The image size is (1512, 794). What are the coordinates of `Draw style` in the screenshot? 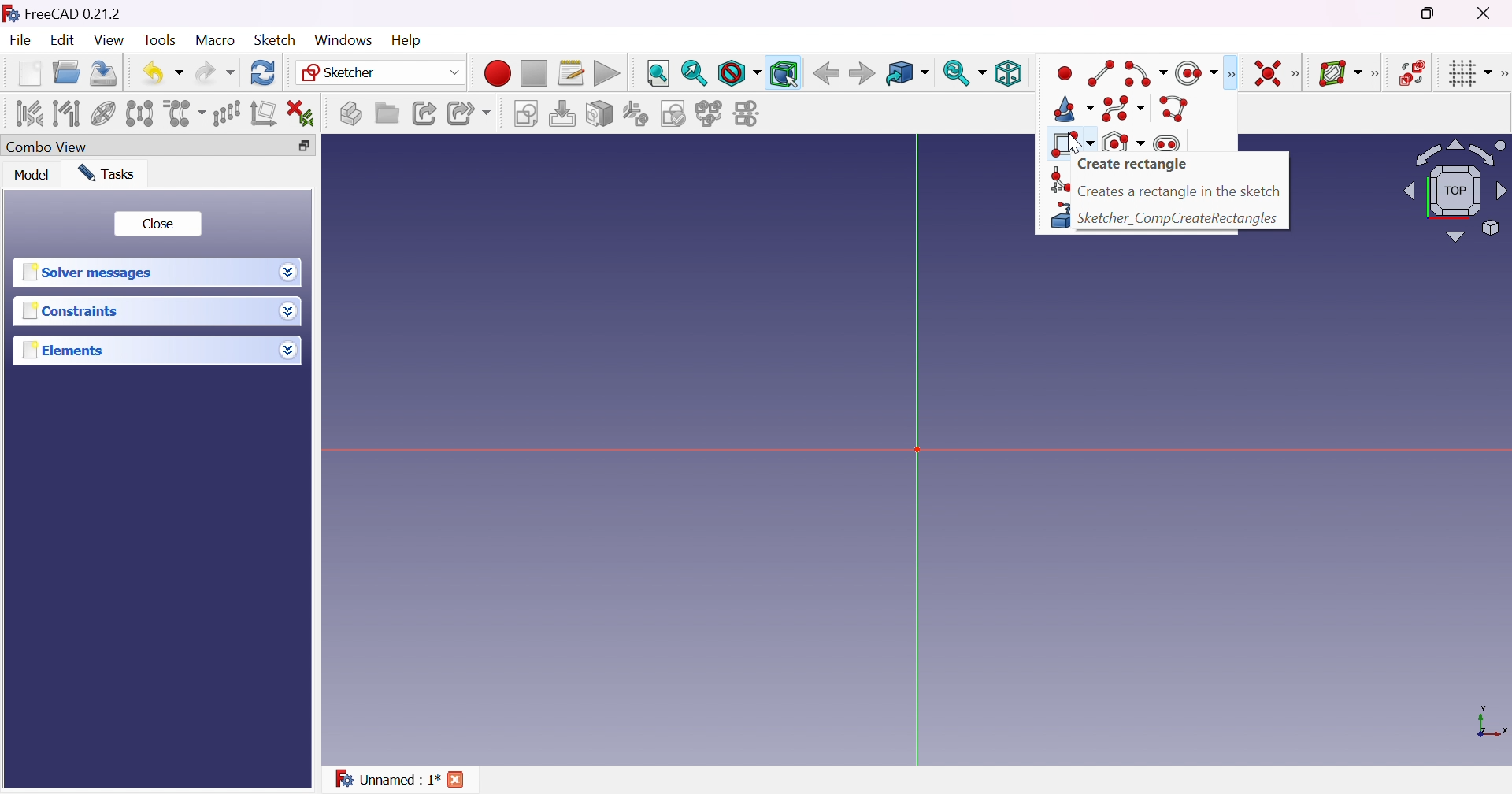 It's located at (738, 73).